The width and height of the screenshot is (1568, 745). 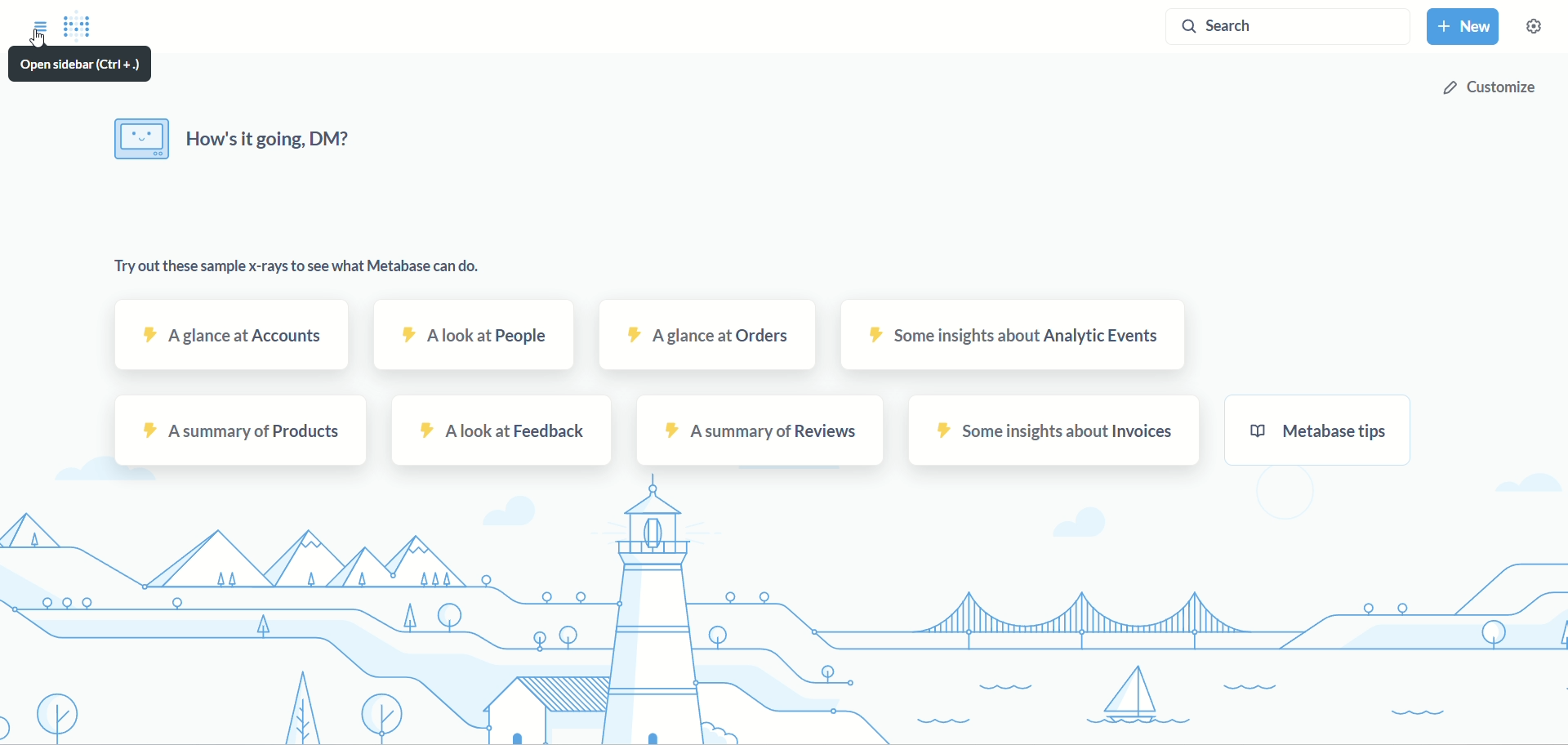 What do you see at coordinates (40, 22) in the screenshot?
I see `SHOW SIDEBAR ` at bounding box center [40, 22].